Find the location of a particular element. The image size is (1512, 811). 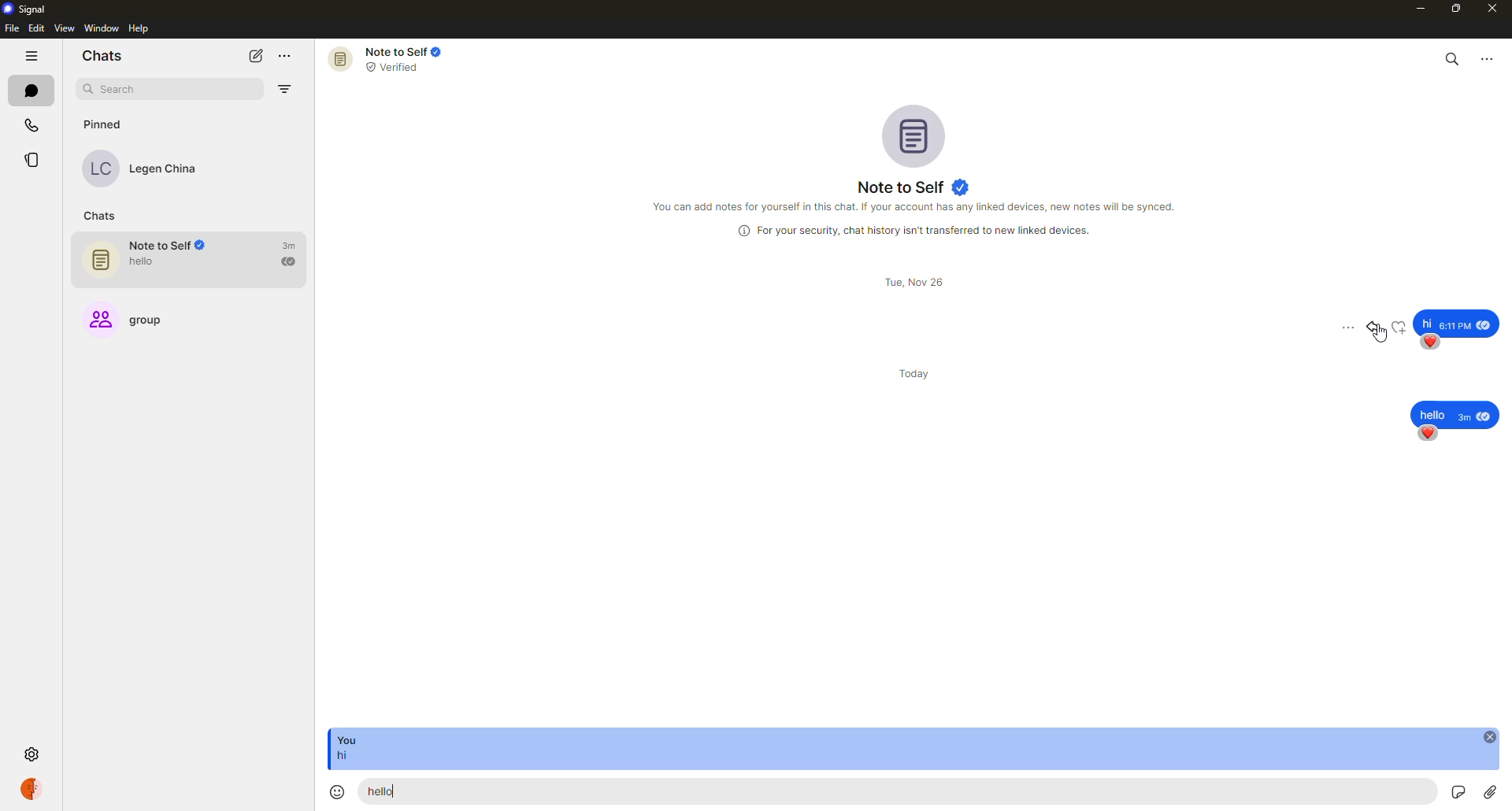

record is located at coordinates (1454, 791).